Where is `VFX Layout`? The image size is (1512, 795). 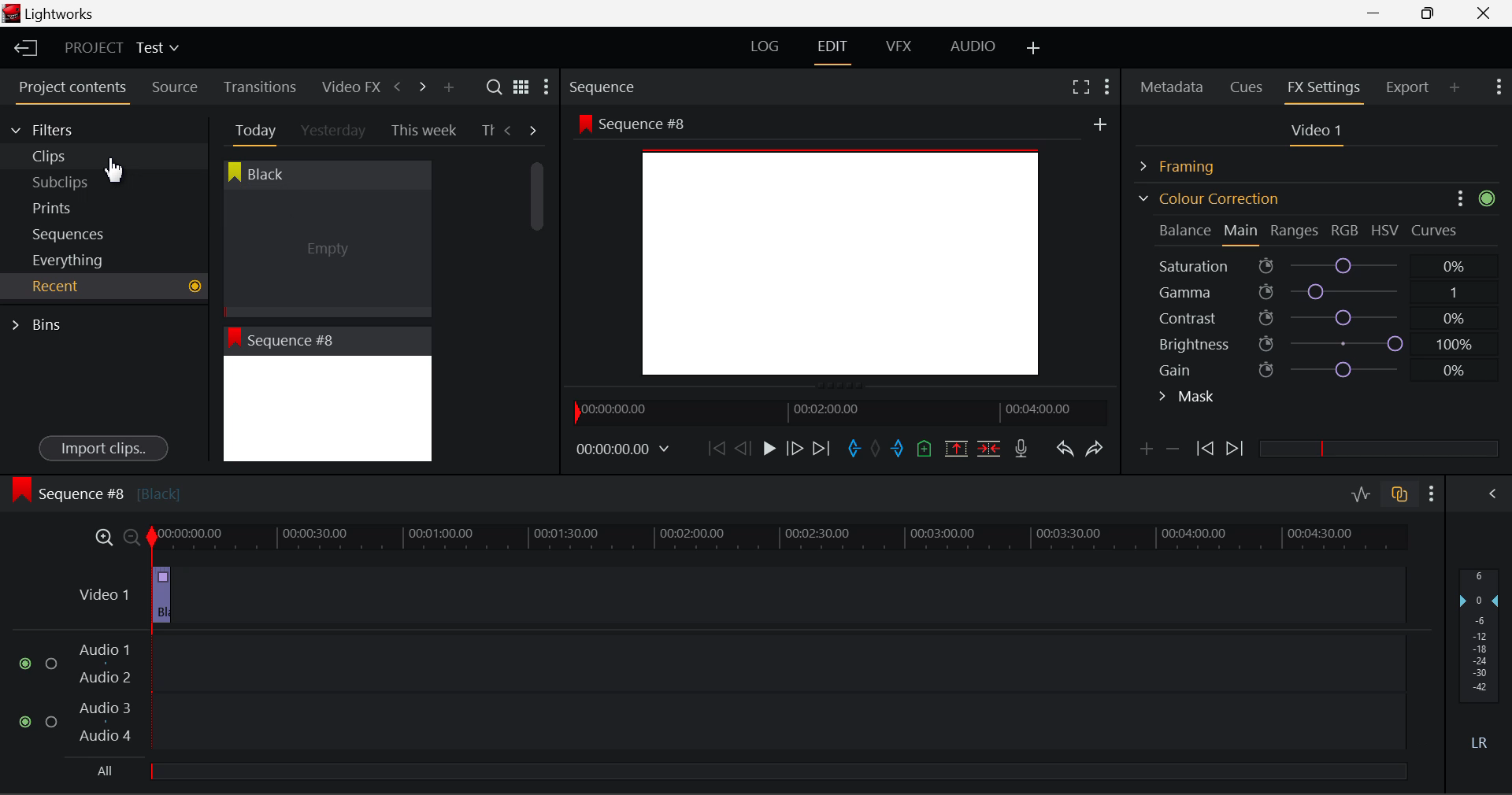
VFX Layout is located at coordinates (902, 48).